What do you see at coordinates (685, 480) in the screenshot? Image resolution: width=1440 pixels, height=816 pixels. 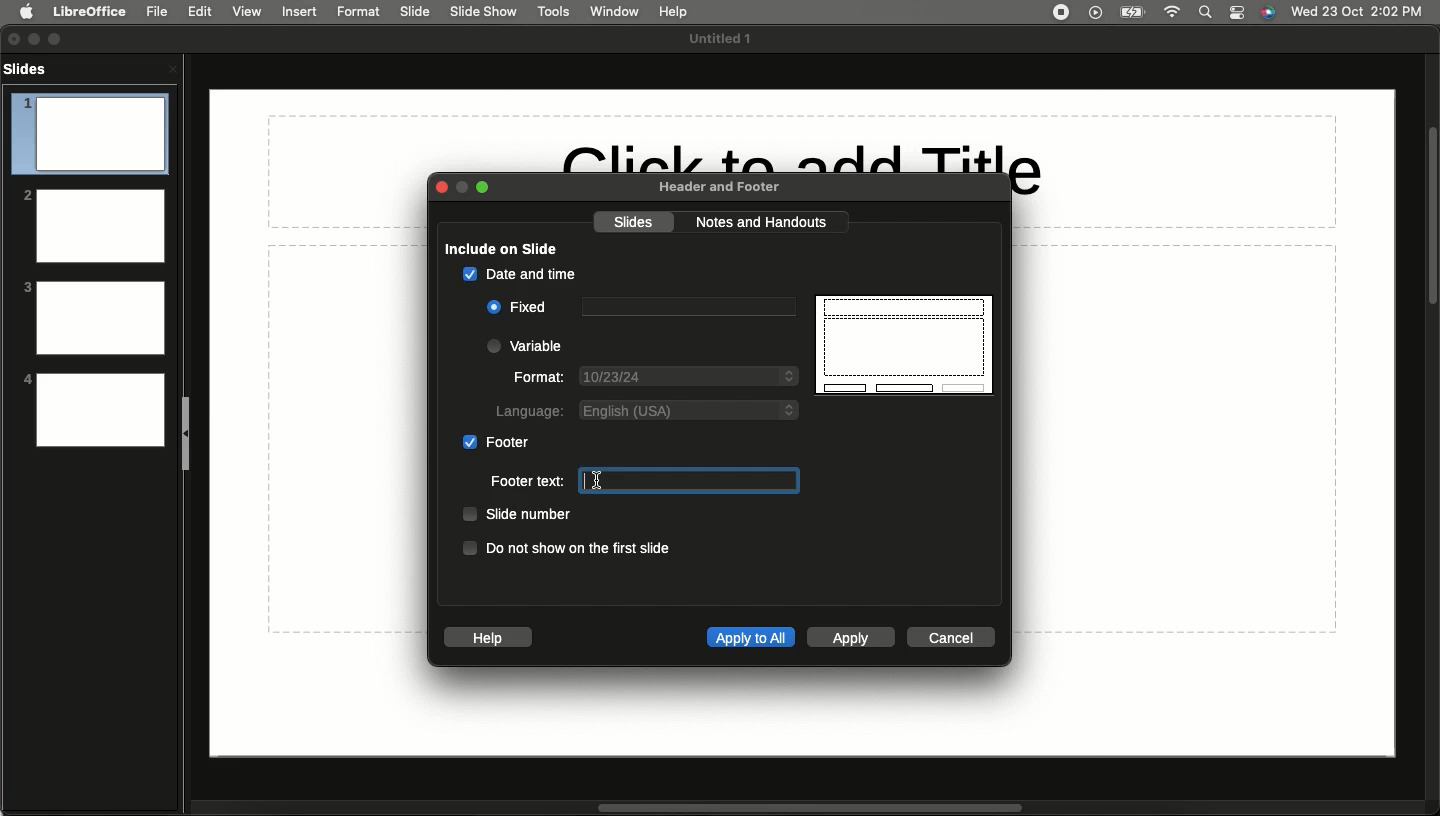 I see `Text box` at bounding box center [685, 480].